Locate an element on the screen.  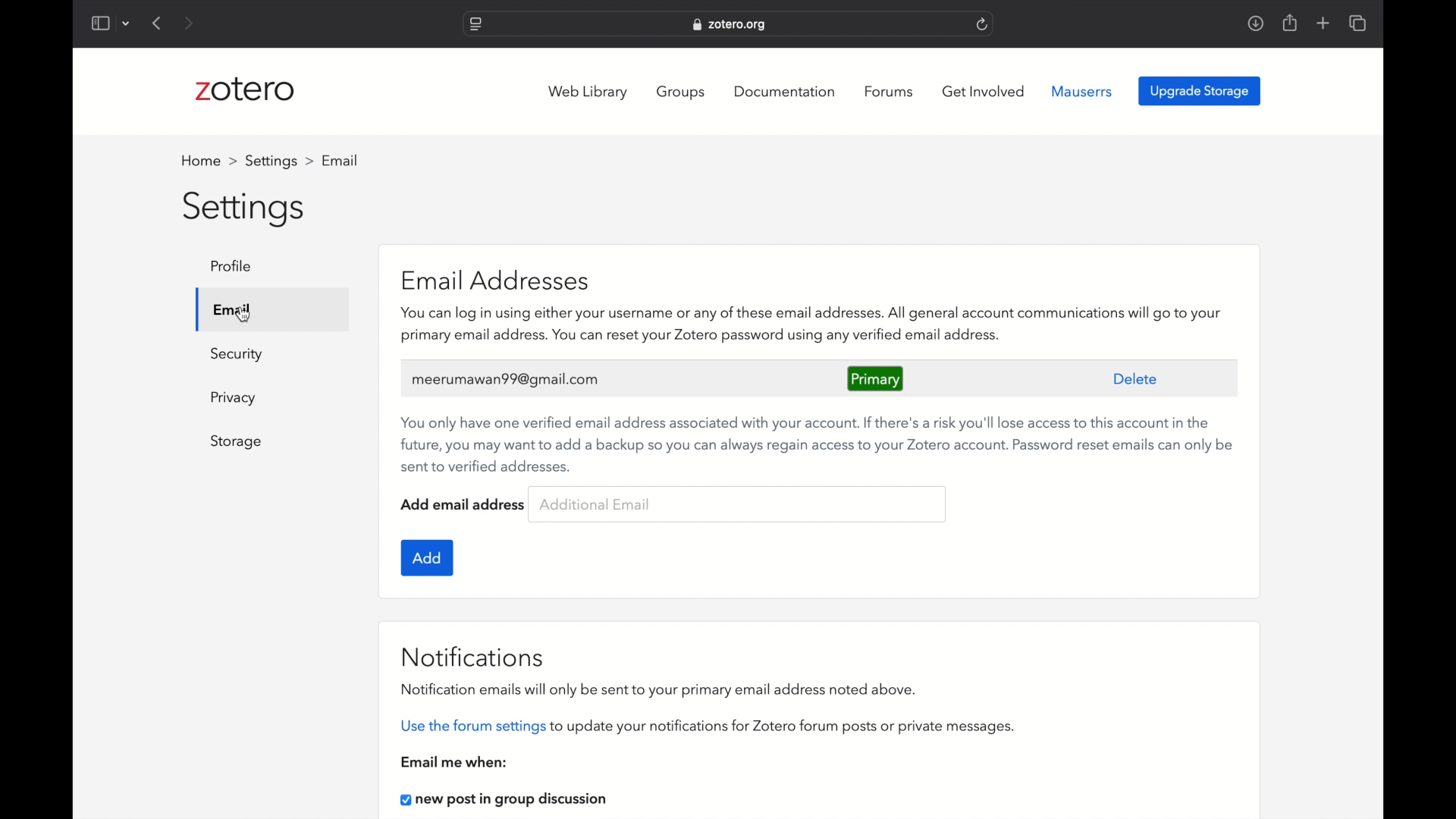
profile is located at coordinates (342, 161).